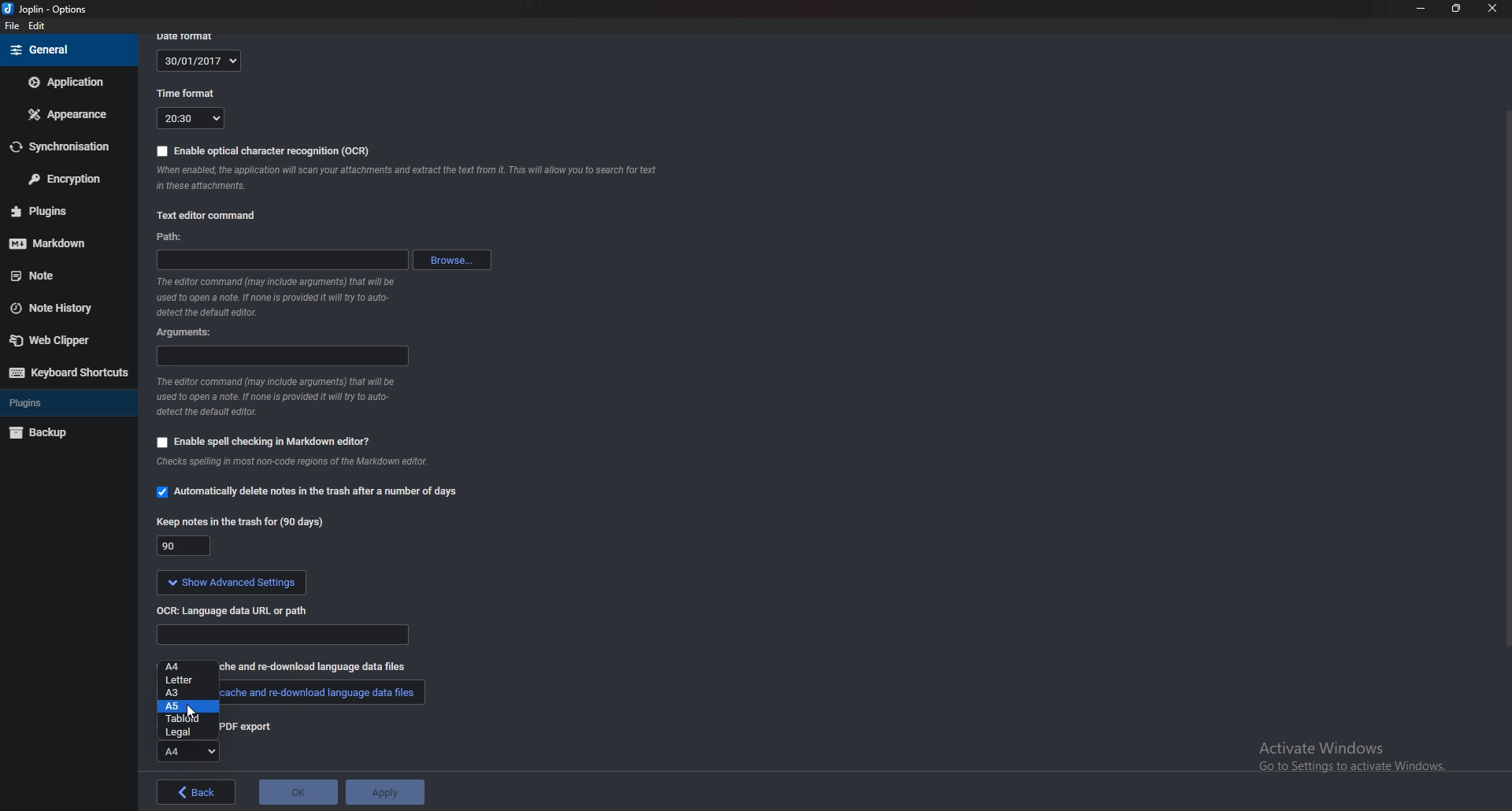  Describe the element at coordinates (66, 373) in the screenshot. I see `Keyboard shortcuts` at that location.